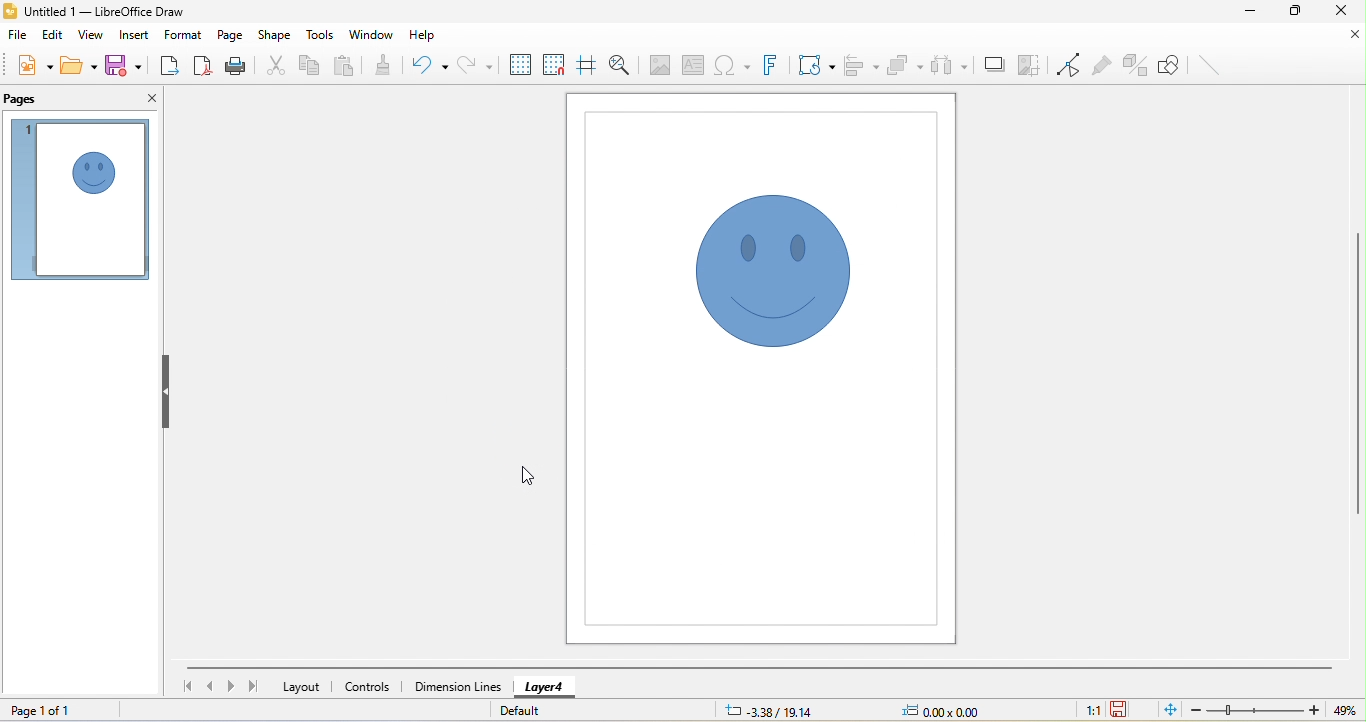  Describe the element at coordinates (1092, 711) in the screenshot. I see `1:1` at that location.